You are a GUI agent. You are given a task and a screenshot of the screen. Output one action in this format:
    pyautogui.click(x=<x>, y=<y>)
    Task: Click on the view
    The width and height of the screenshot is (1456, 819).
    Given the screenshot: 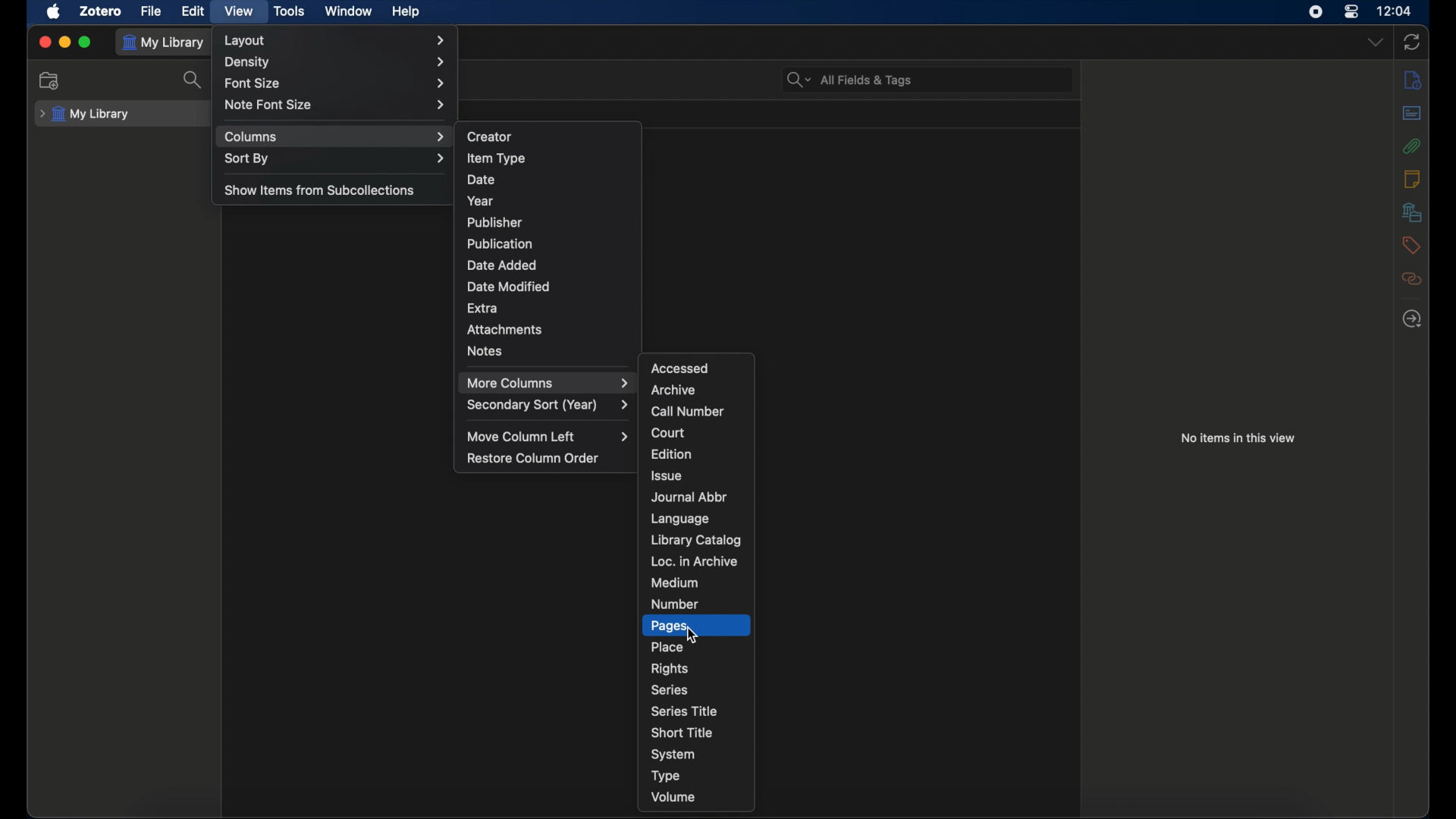 What is the action you would take?
    pyautogui.click(x=238, y=11)
    